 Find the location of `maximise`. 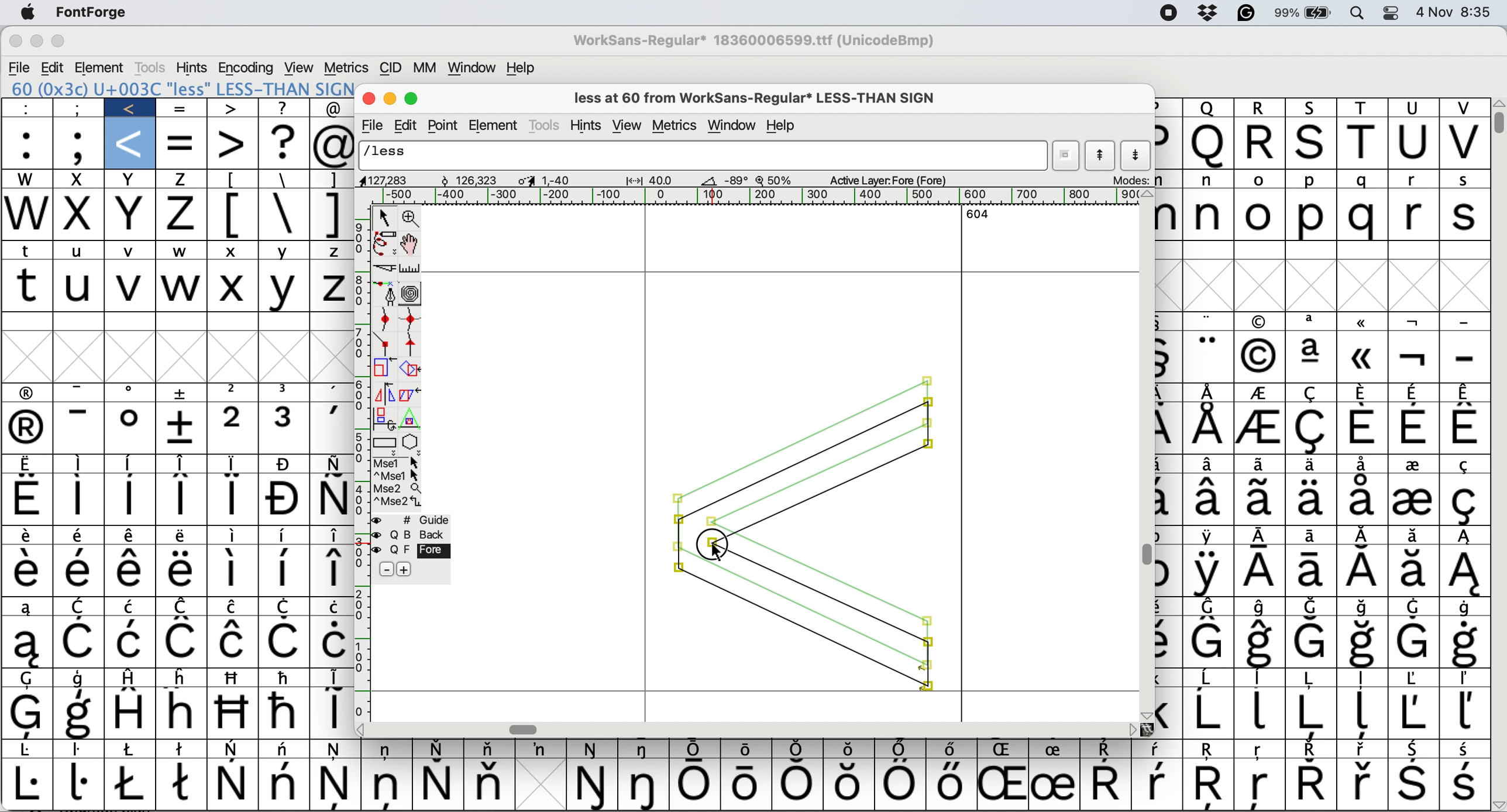

maximise is located at coordinates (65, 43).